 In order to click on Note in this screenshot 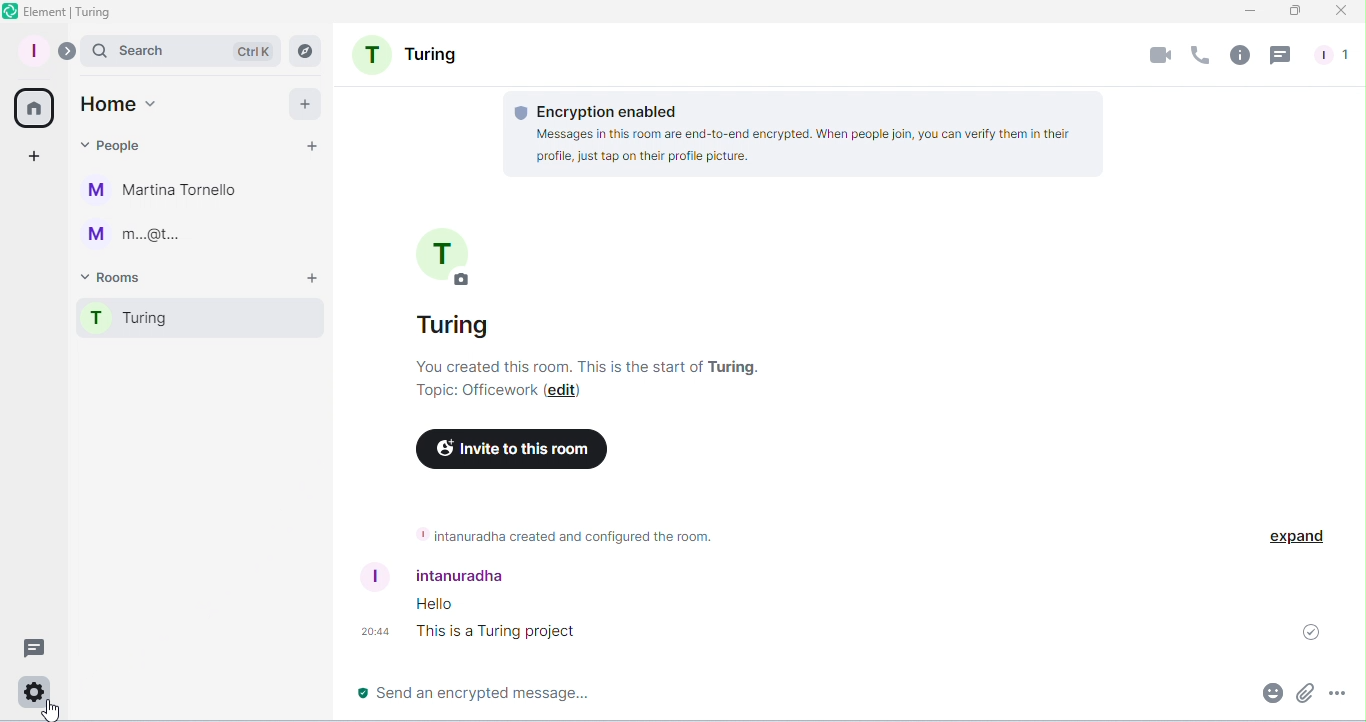, I will do `click(556, 534)`.